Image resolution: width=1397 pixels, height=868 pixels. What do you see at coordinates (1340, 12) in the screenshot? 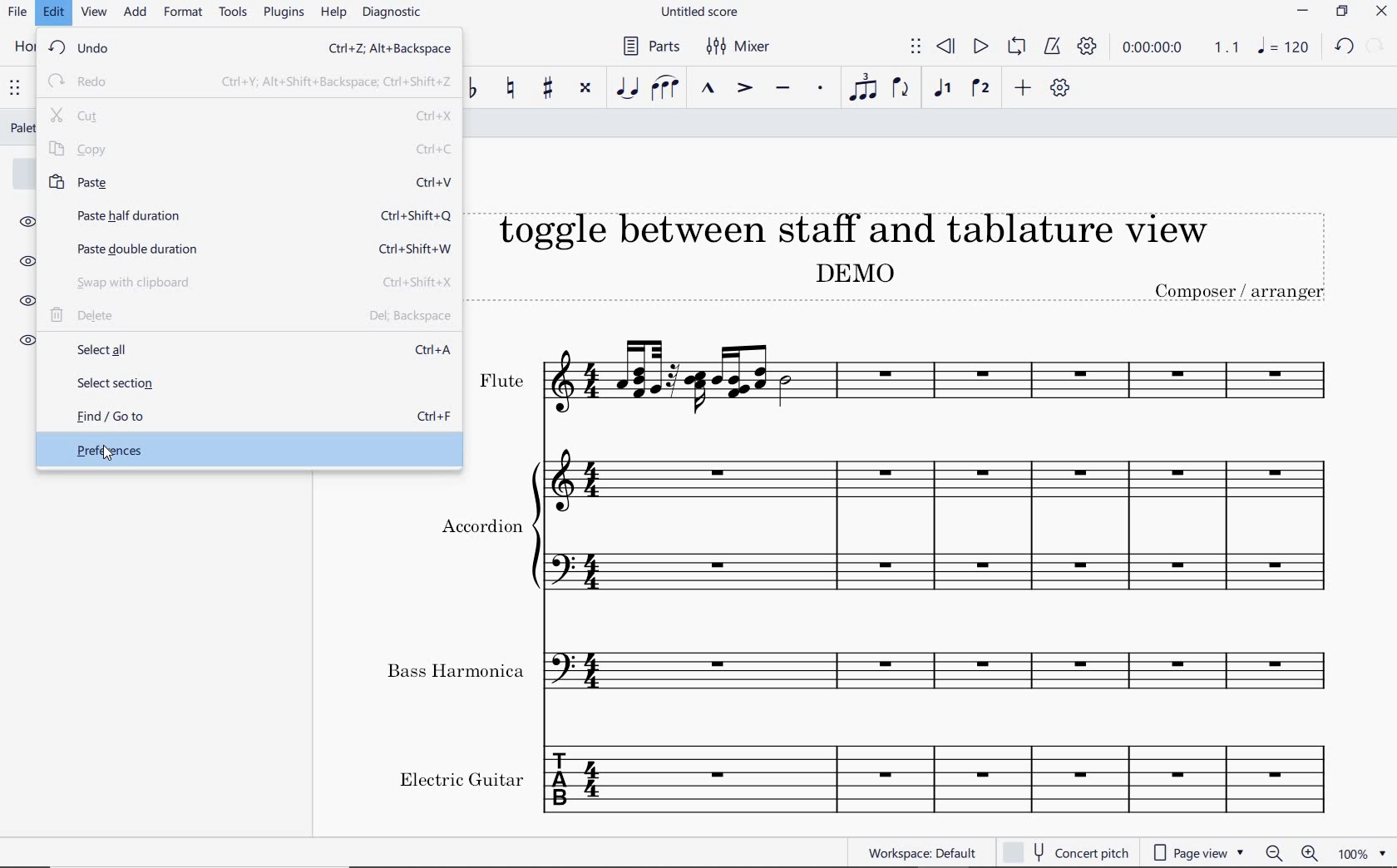
I see `RESTORE DOWN` at bounding box center [1340, 12].